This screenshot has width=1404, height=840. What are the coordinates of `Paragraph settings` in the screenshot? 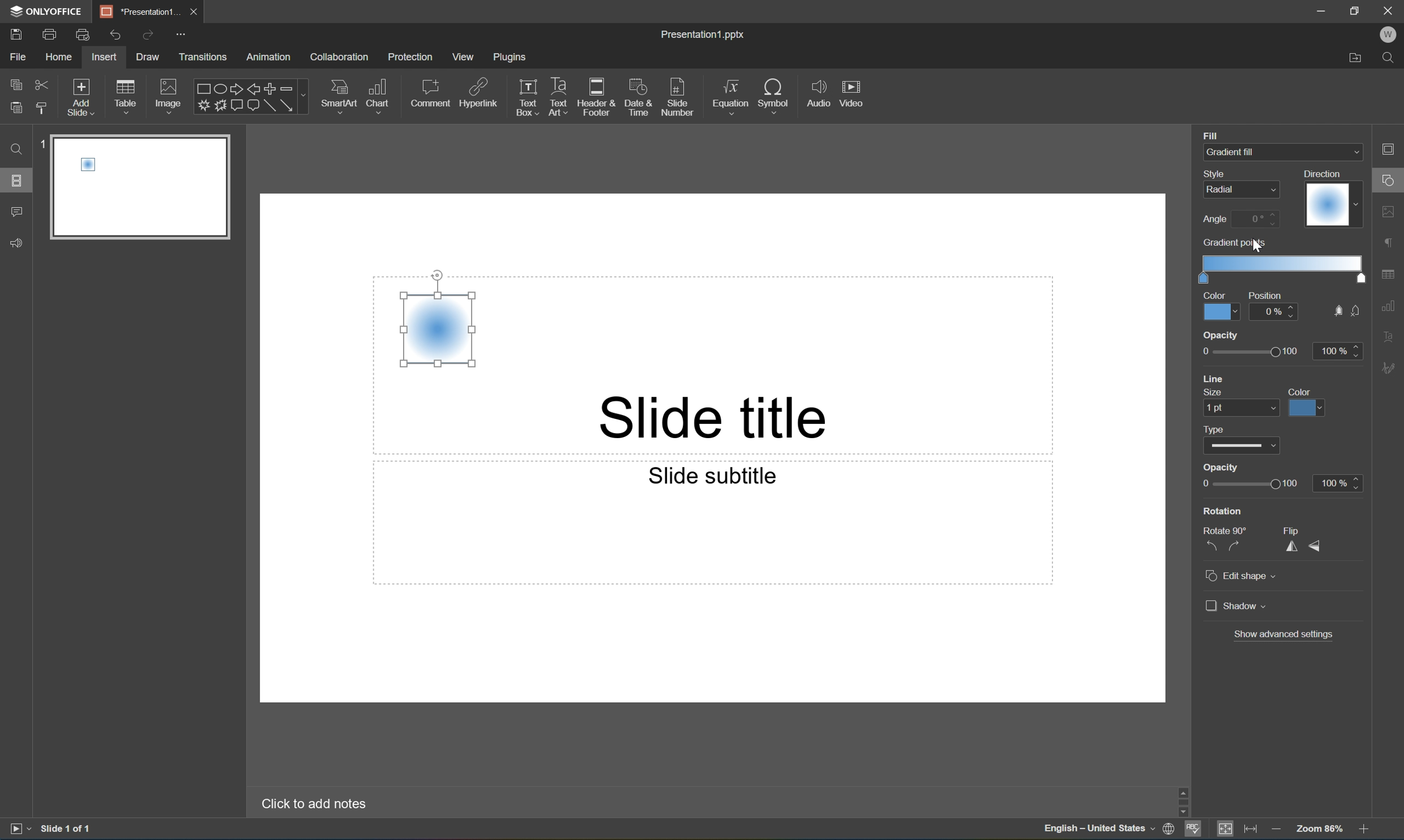 It's located at (1391, 243).